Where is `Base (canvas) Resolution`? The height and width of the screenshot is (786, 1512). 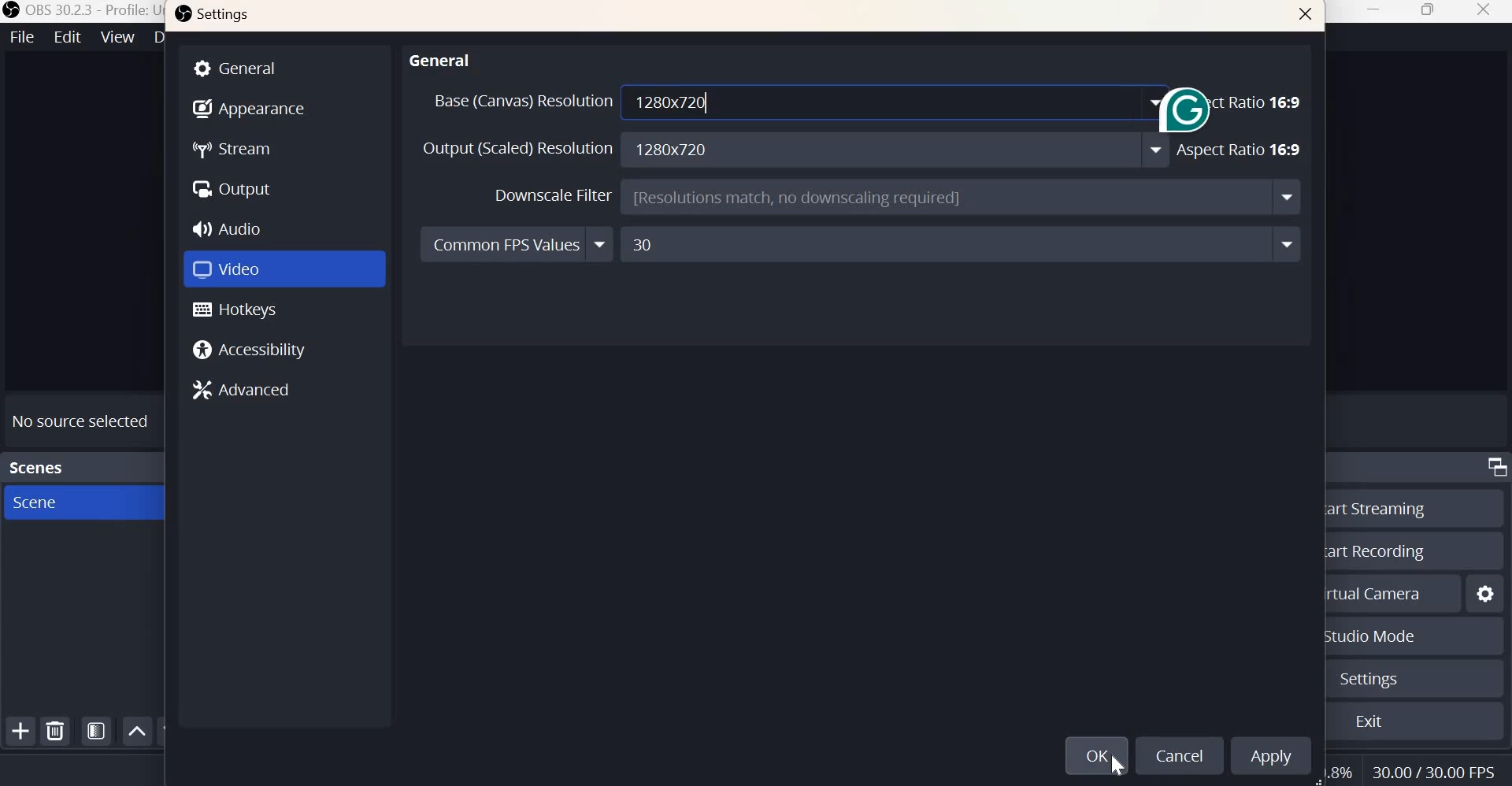
Base (canvas) Resolution is located at coordinates (521, 101).